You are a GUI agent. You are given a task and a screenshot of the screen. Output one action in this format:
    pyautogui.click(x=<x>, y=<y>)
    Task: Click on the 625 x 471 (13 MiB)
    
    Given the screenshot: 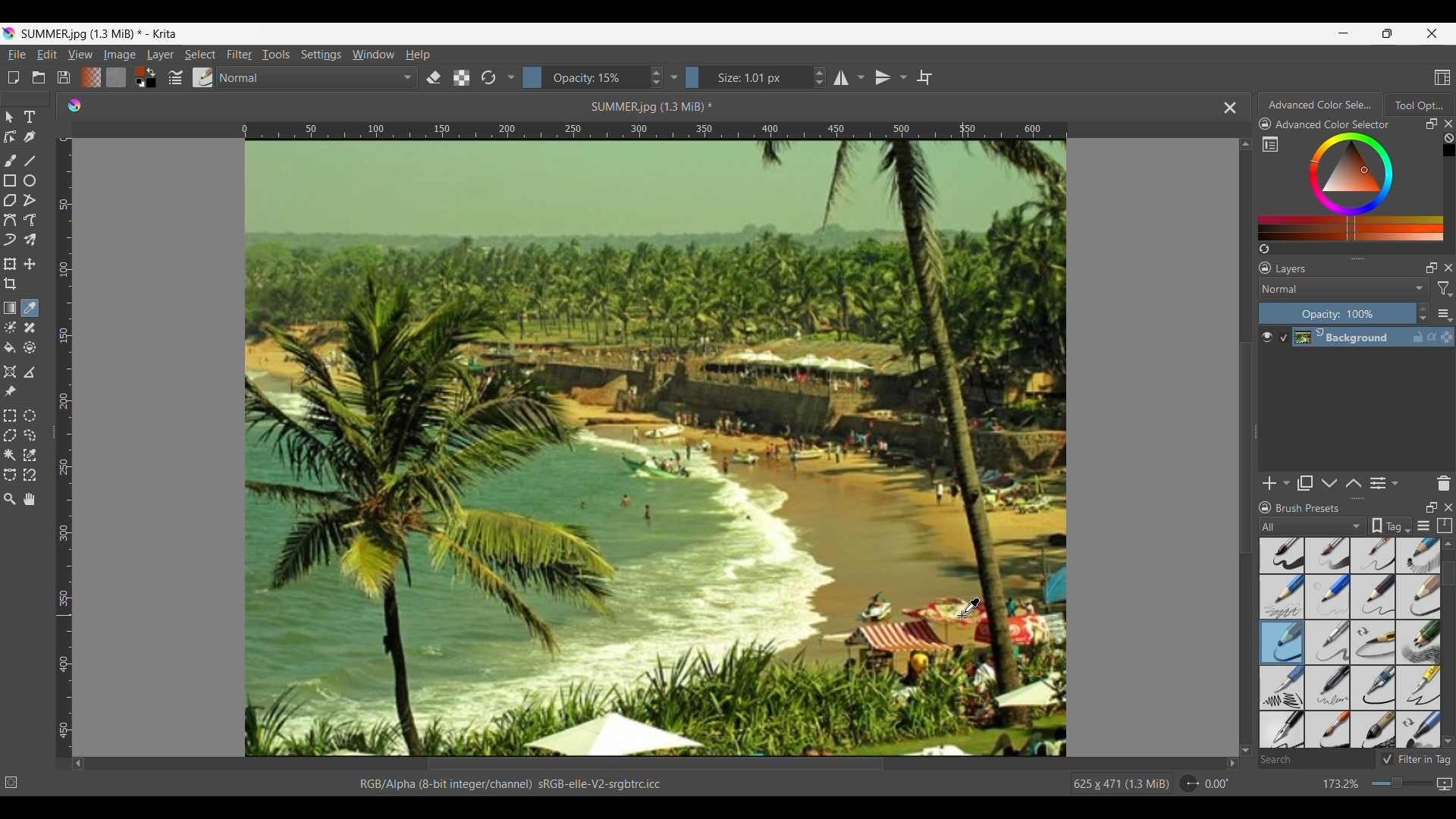 What is the action you would take?
    pyautogui.click(x=1119, y=785)
    